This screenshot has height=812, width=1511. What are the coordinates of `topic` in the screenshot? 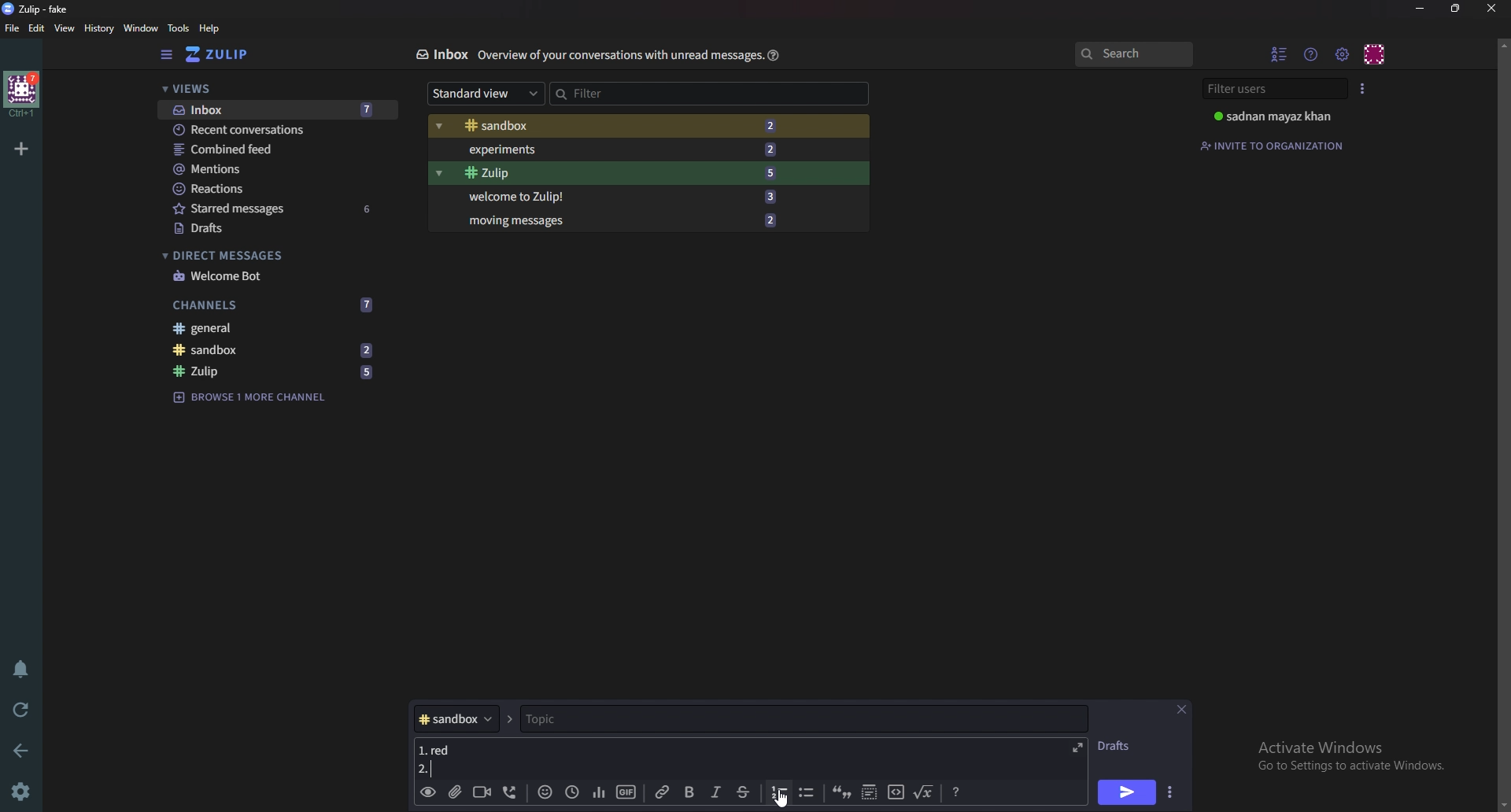 It's located at (597, 719).